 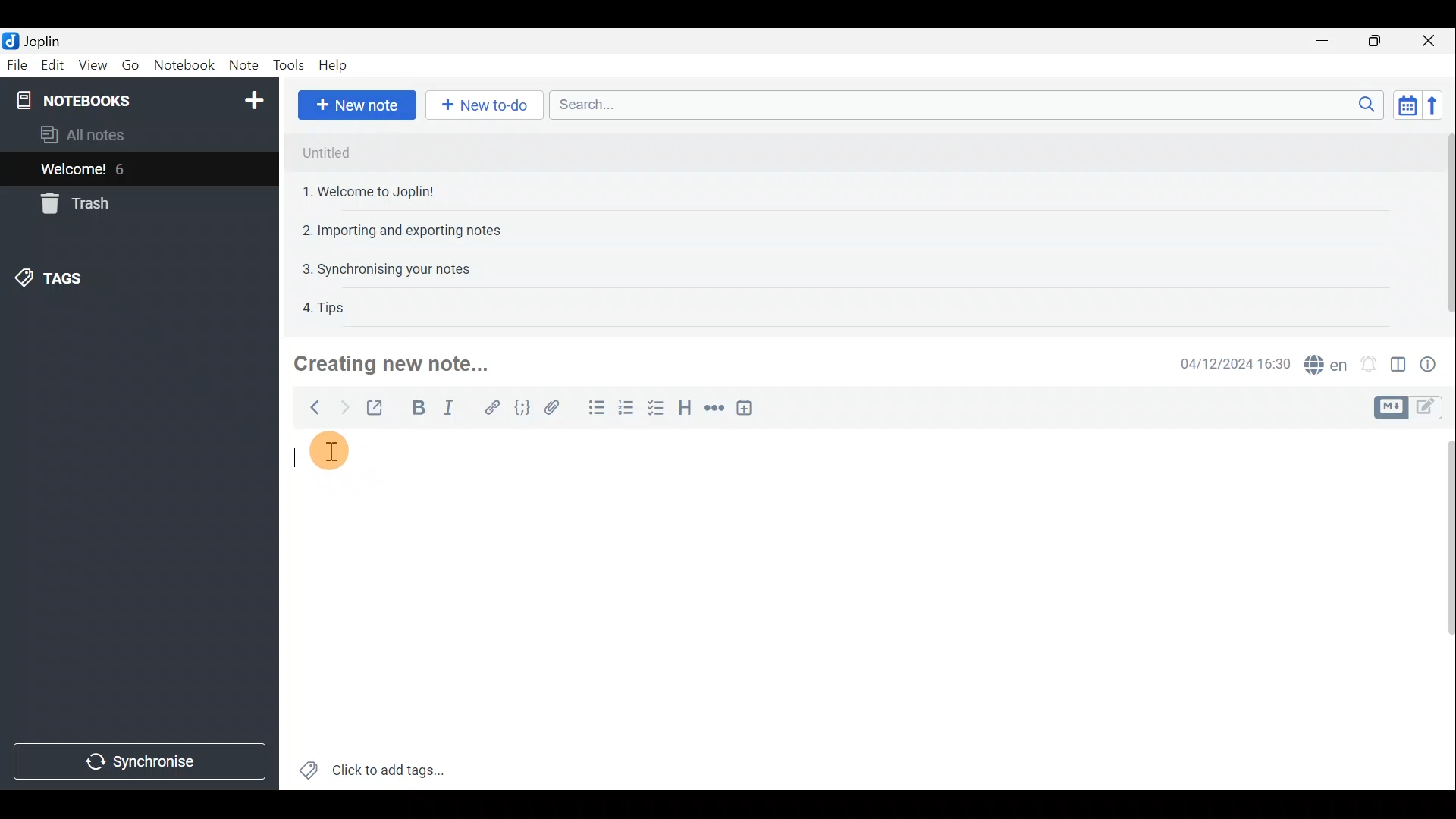 What do you see at coordinates (653, 409) in the screenshot?
I see `Checkbox` at bounding box center [653, 409].